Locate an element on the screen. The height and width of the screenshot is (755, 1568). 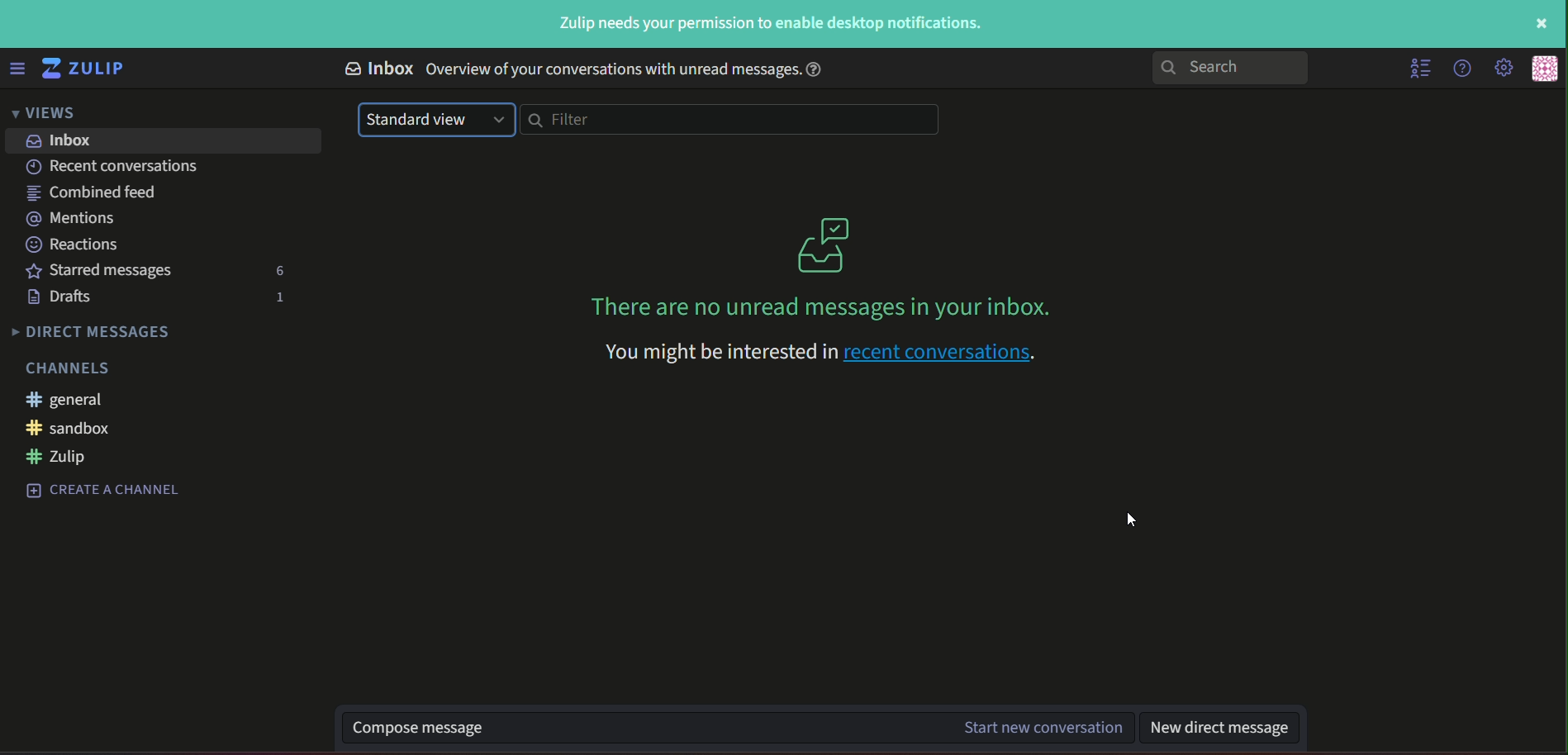
text is located at coordinates (77, 245).